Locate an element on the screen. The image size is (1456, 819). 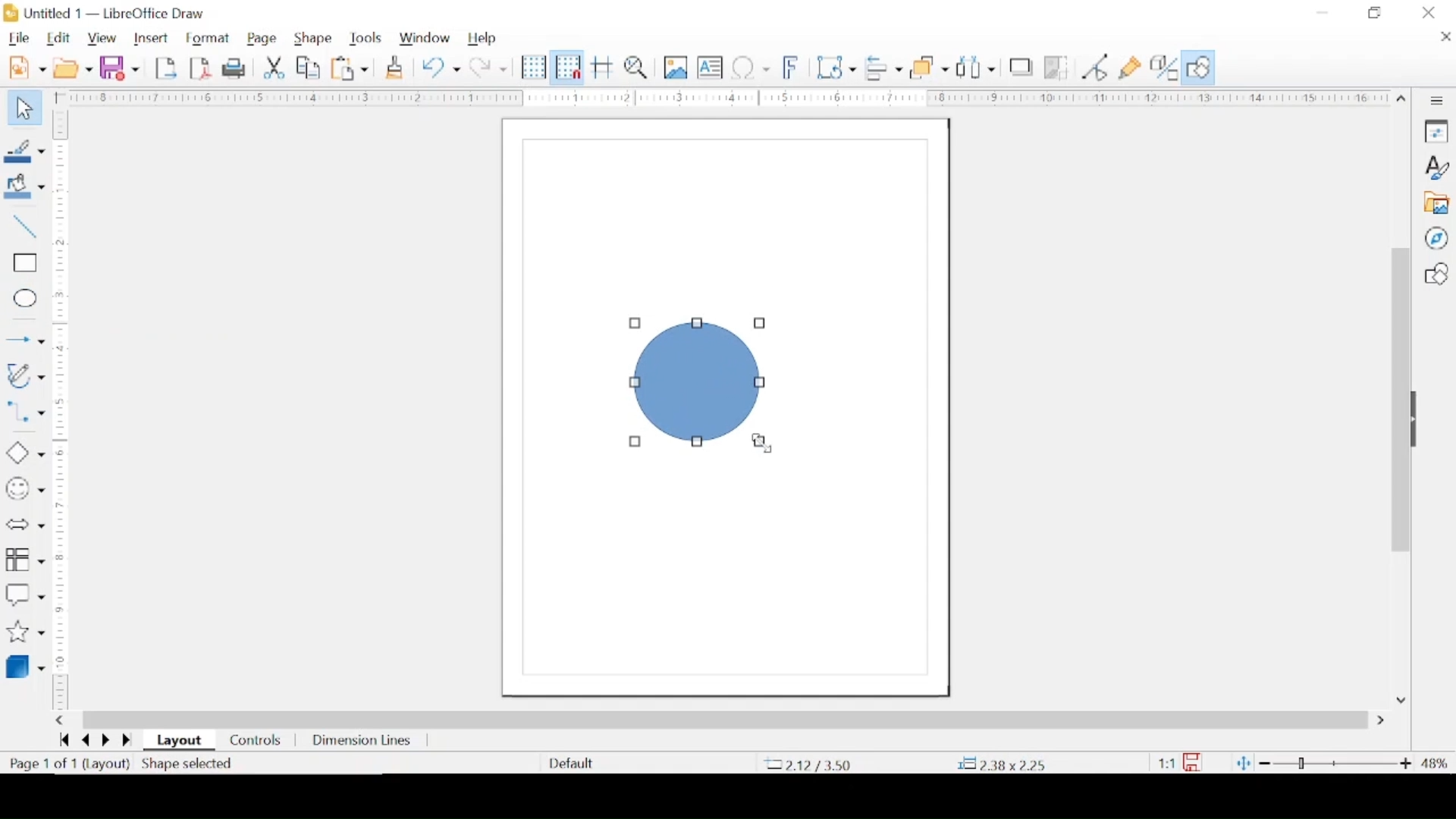
ellipse is located at coordinates (22, 297).